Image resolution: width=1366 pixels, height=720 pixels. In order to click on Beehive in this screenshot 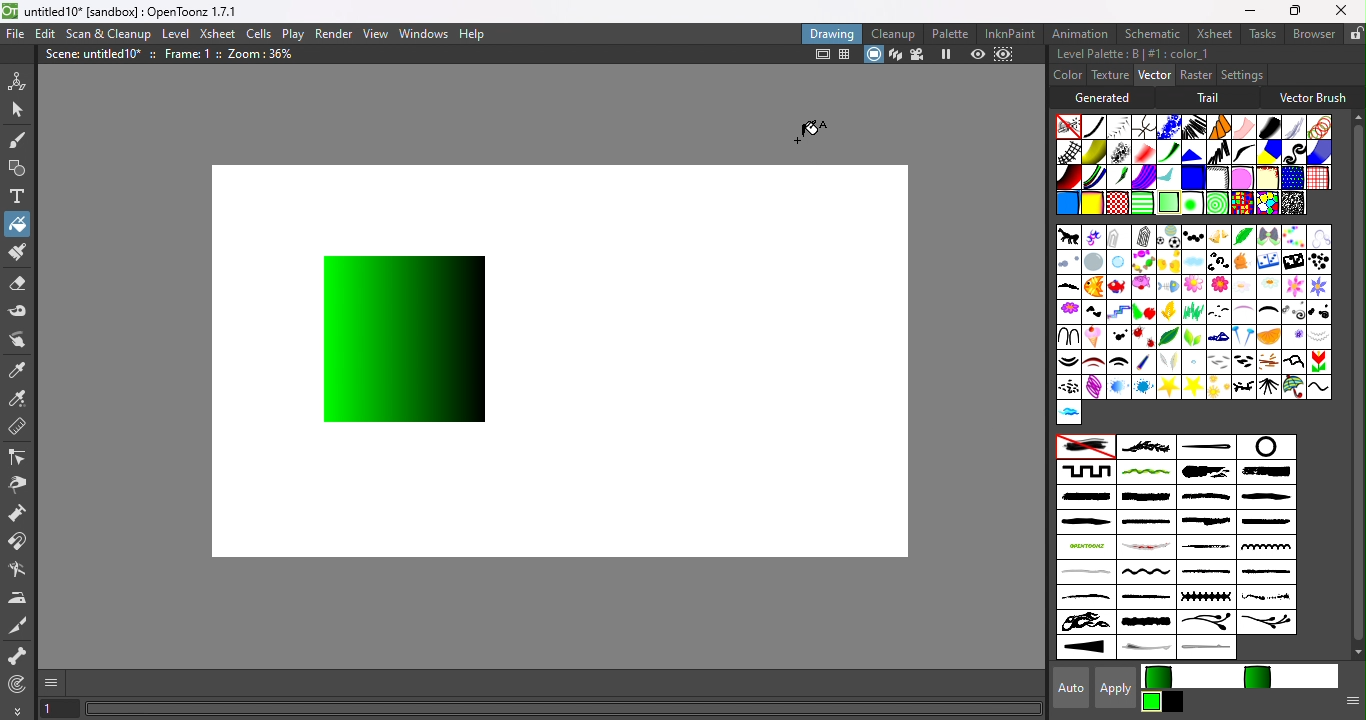, I will do `click(1266, 204)`.